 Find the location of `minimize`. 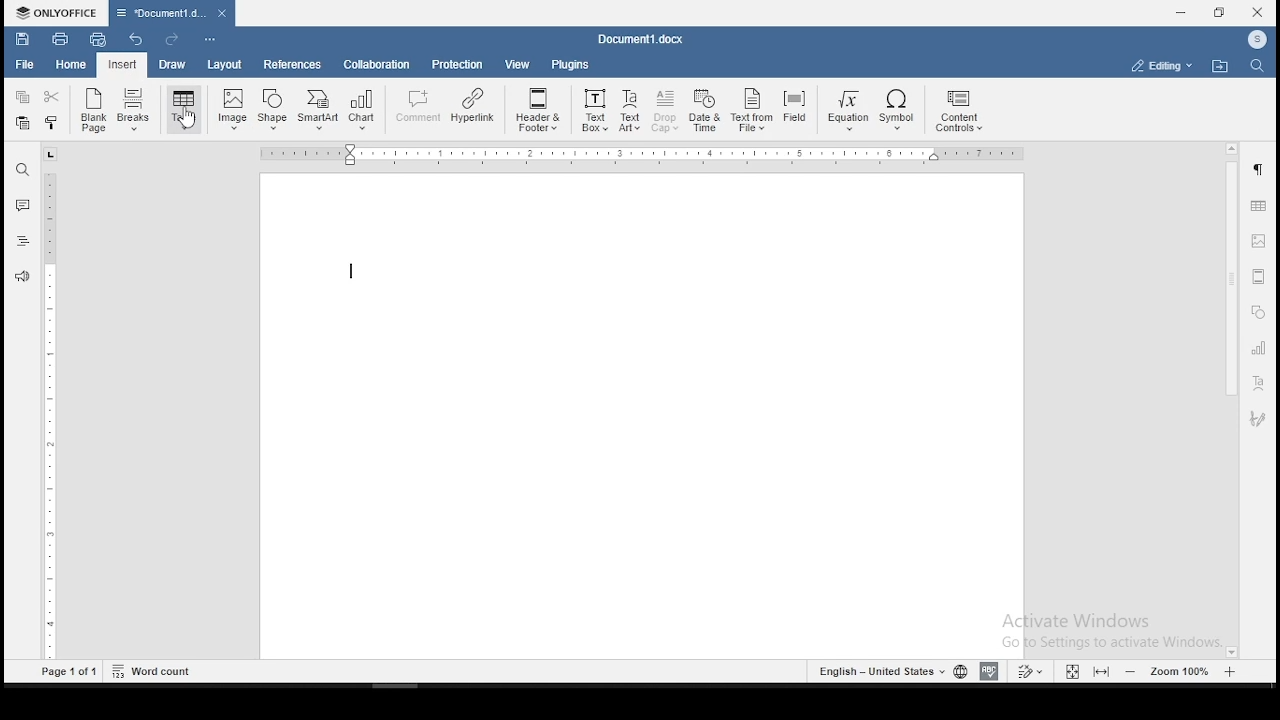

minimize is located at coordinates (1183, 12).